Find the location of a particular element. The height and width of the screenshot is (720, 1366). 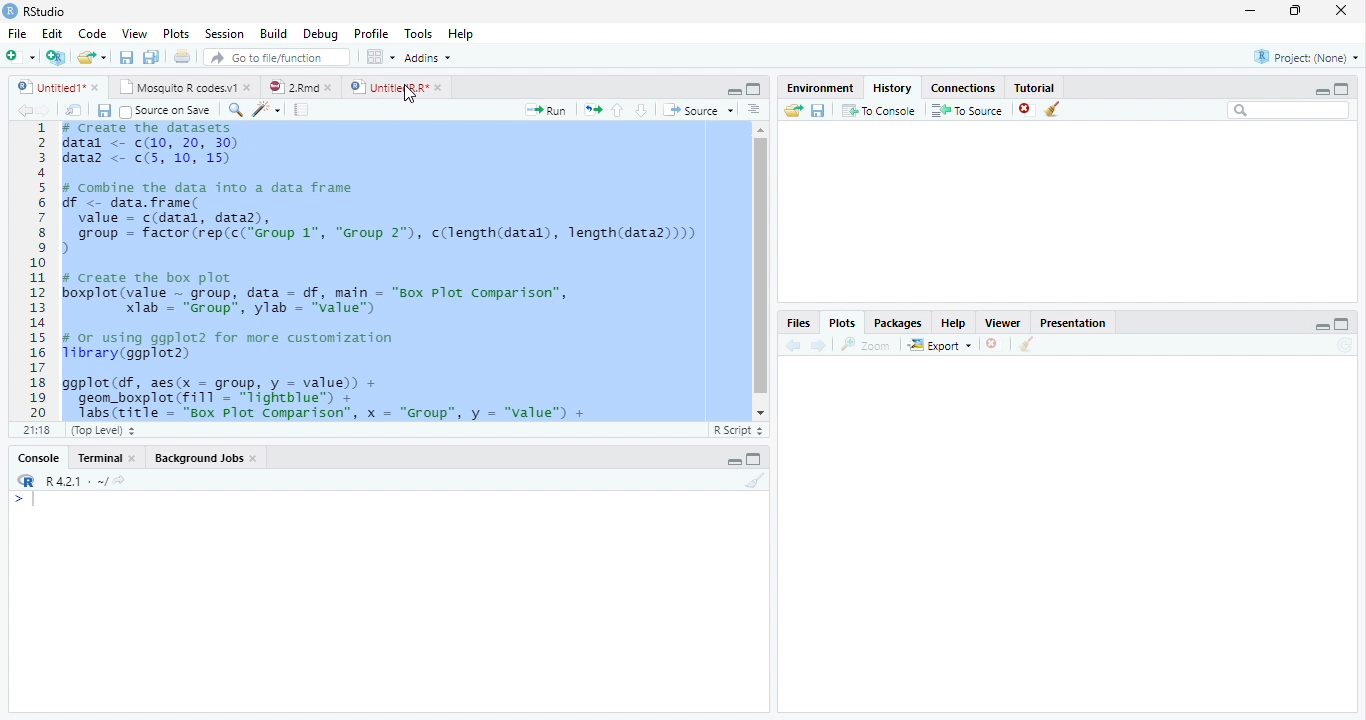

Open recent files is located at coordinates (103, 57).